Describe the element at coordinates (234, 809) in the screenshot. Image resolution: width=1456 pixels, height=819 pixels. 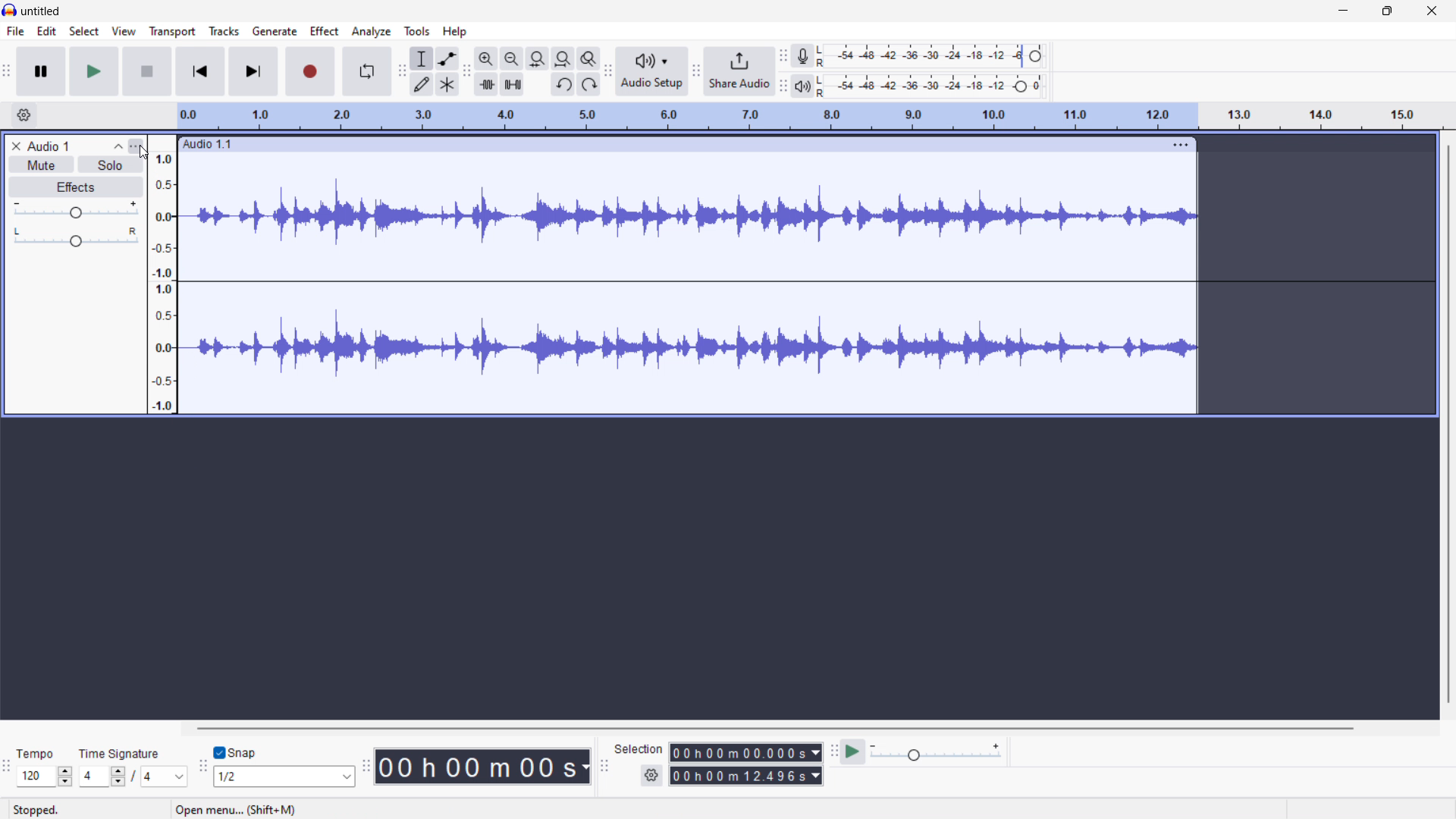
I see `Open menu shortcut info` at that location.